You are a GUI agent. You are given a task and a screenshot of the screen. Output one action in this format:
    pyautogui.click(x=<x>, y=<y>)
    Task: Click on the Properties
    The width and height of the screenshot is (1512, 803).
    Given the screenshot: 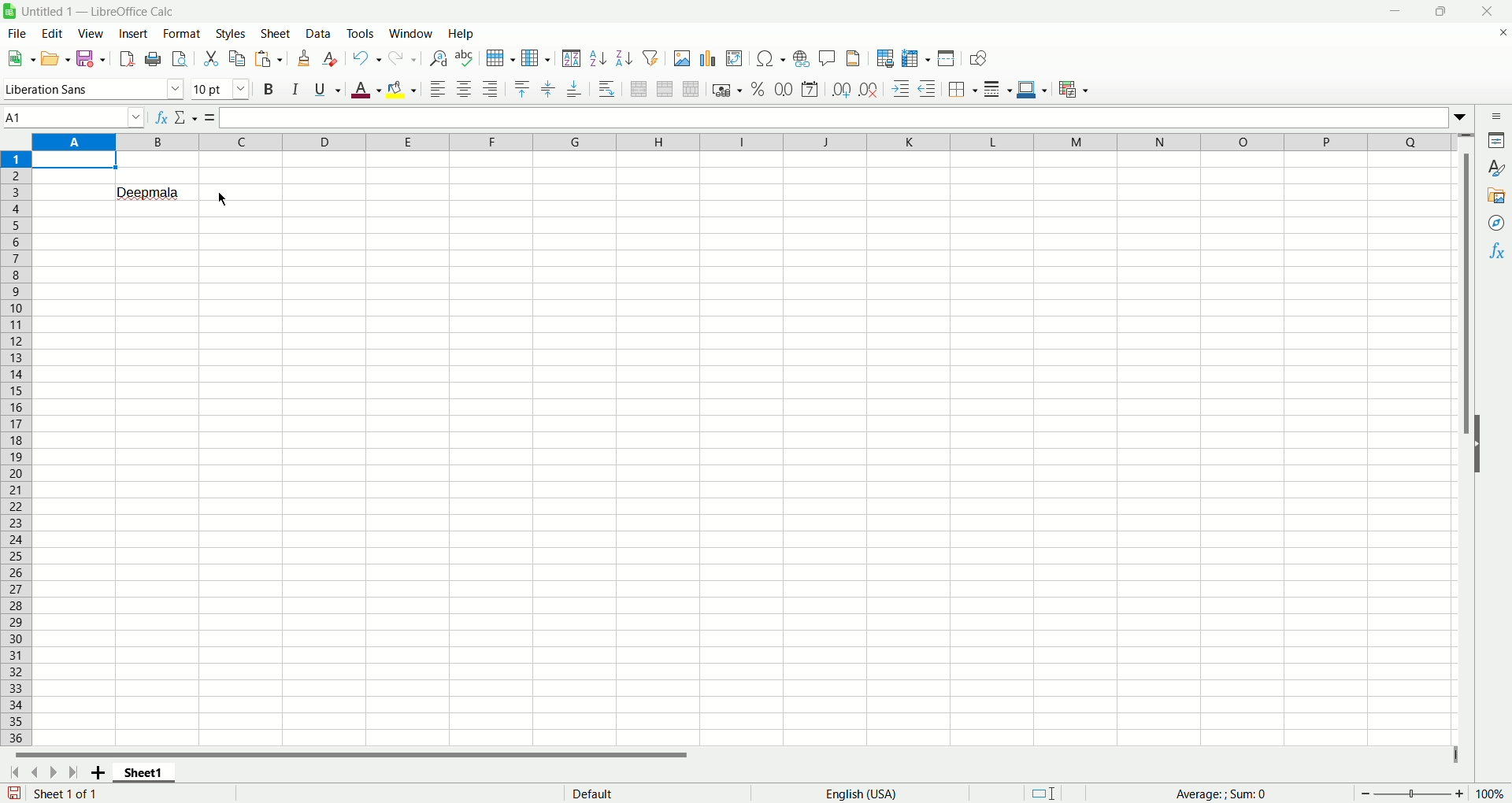 What is the action you would take?
    pyautogui.click(x=1498, y=141)
    